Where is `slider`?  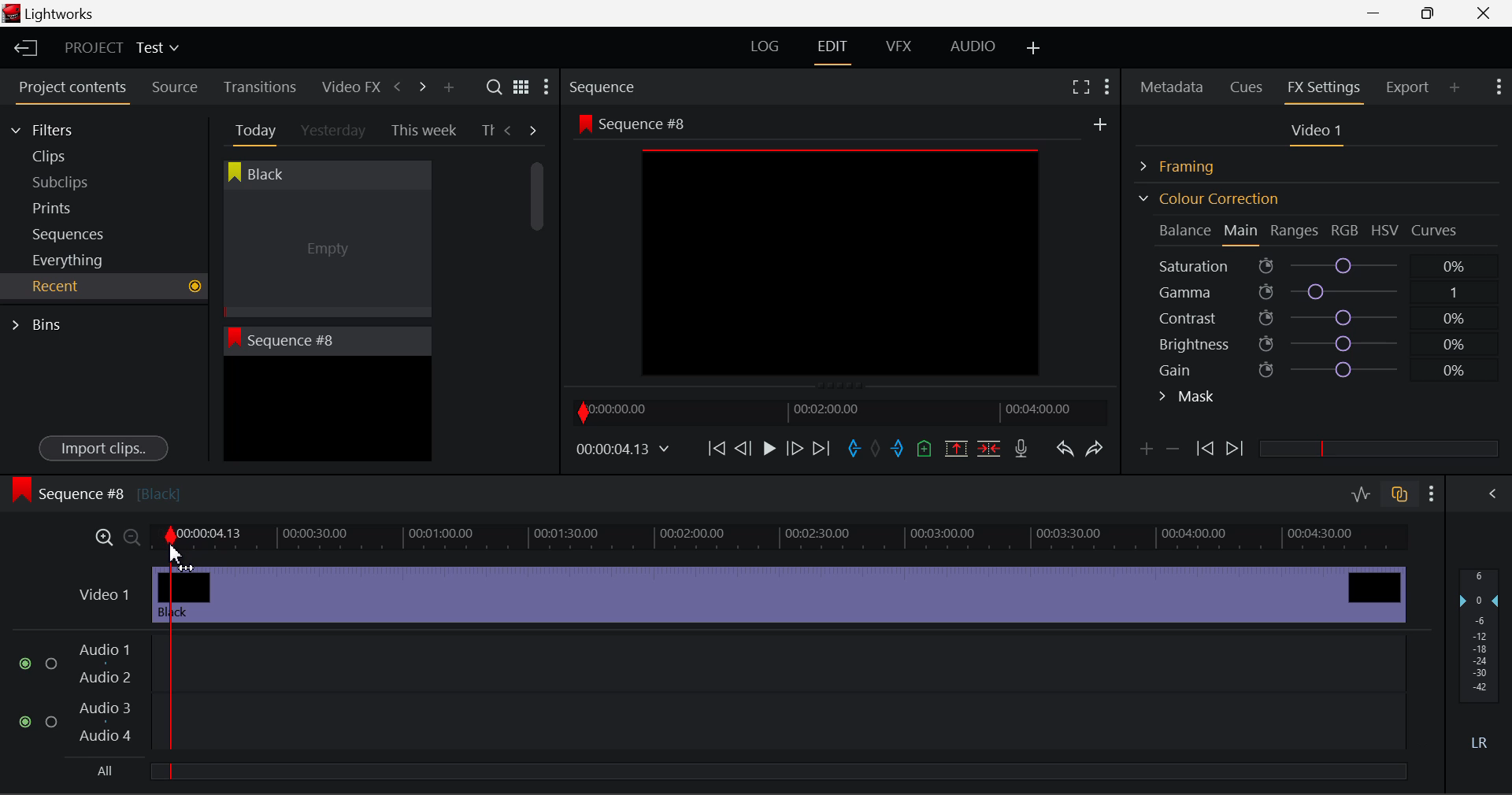 slider is located at coordinates (777, 771).